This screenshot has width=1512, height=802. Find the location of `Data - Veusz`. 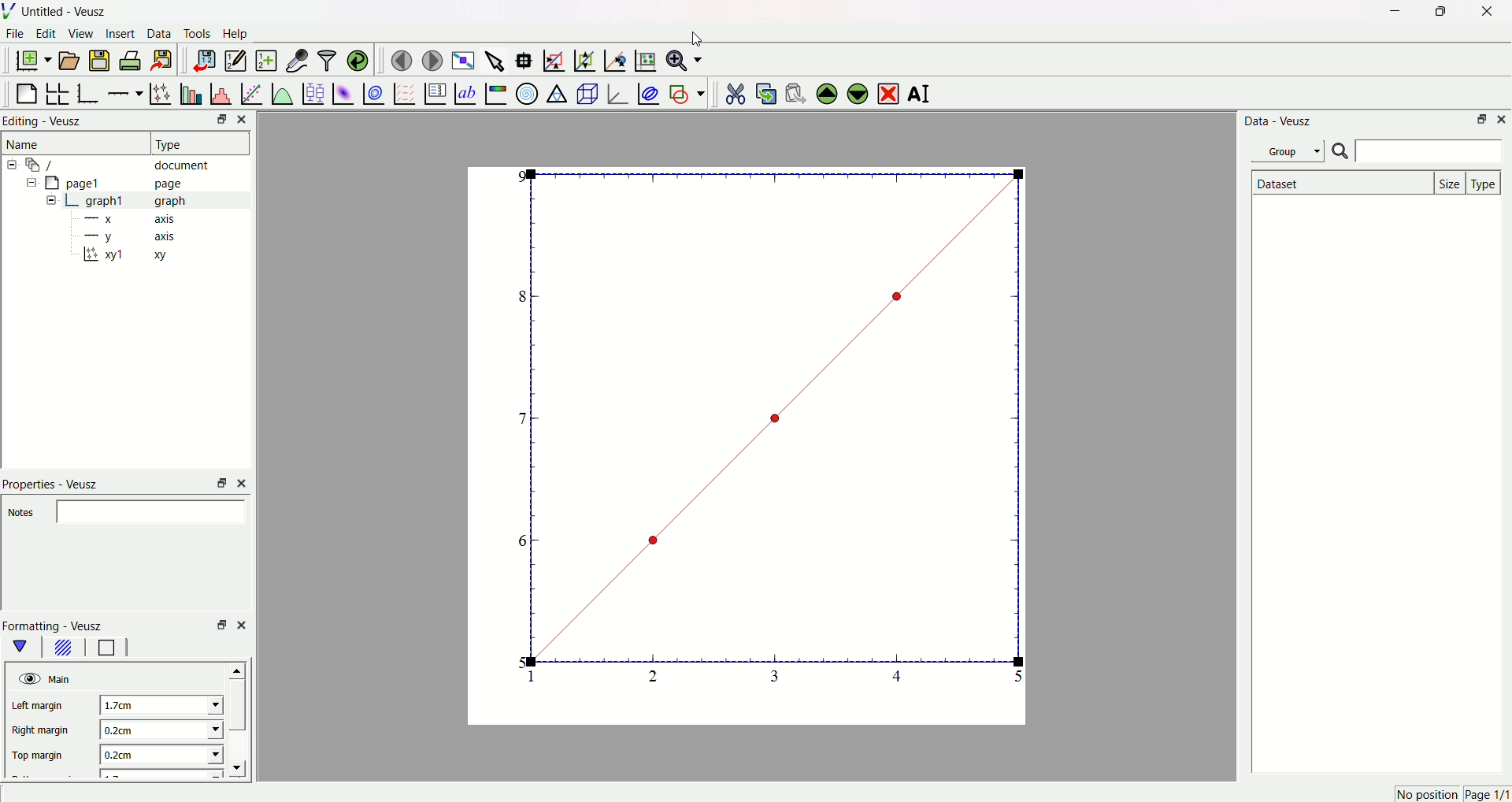

Data - Veusz is located at coordinates (1280, 122).